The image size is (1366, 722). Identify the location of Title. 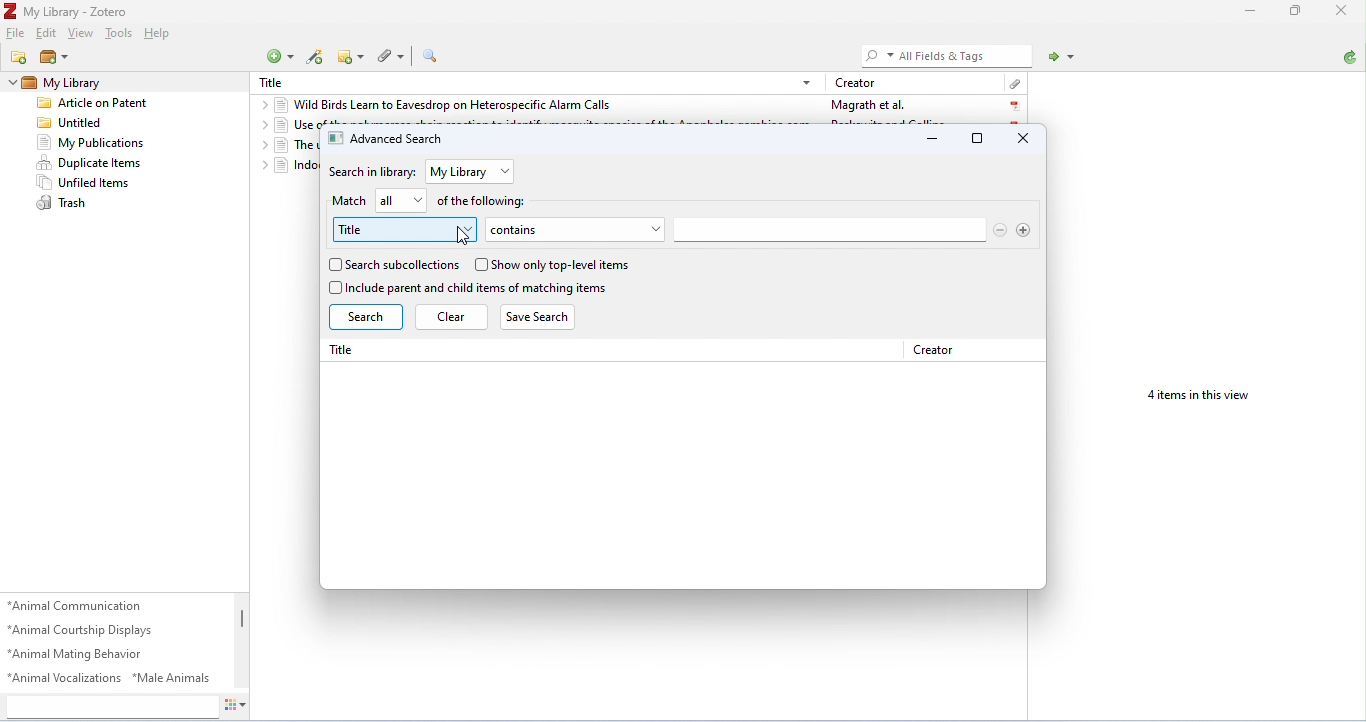
(275, 81).